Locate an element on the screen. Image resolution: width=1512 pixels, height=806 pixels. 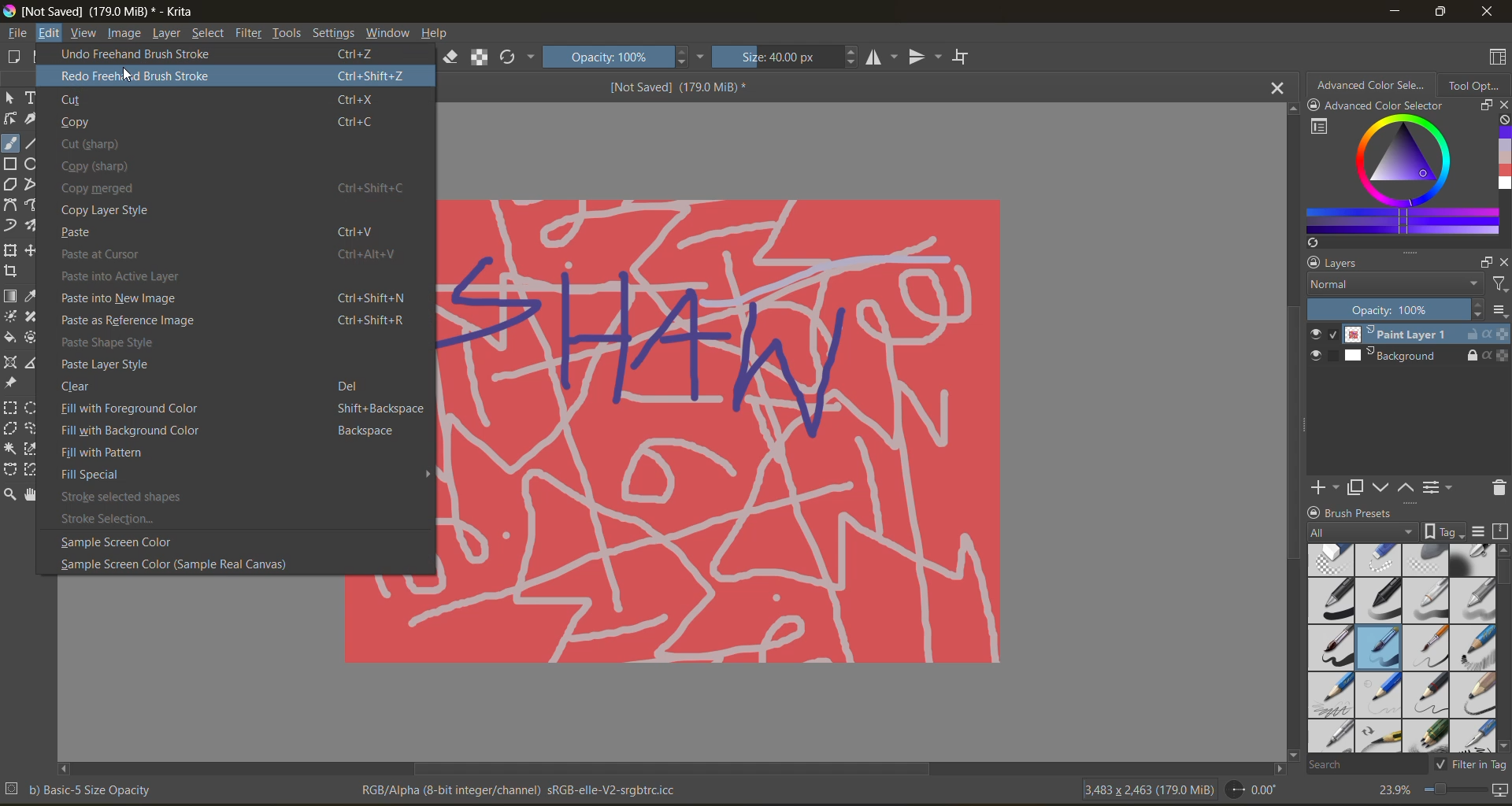
smart patch tool is located at coordinates (32, 318).